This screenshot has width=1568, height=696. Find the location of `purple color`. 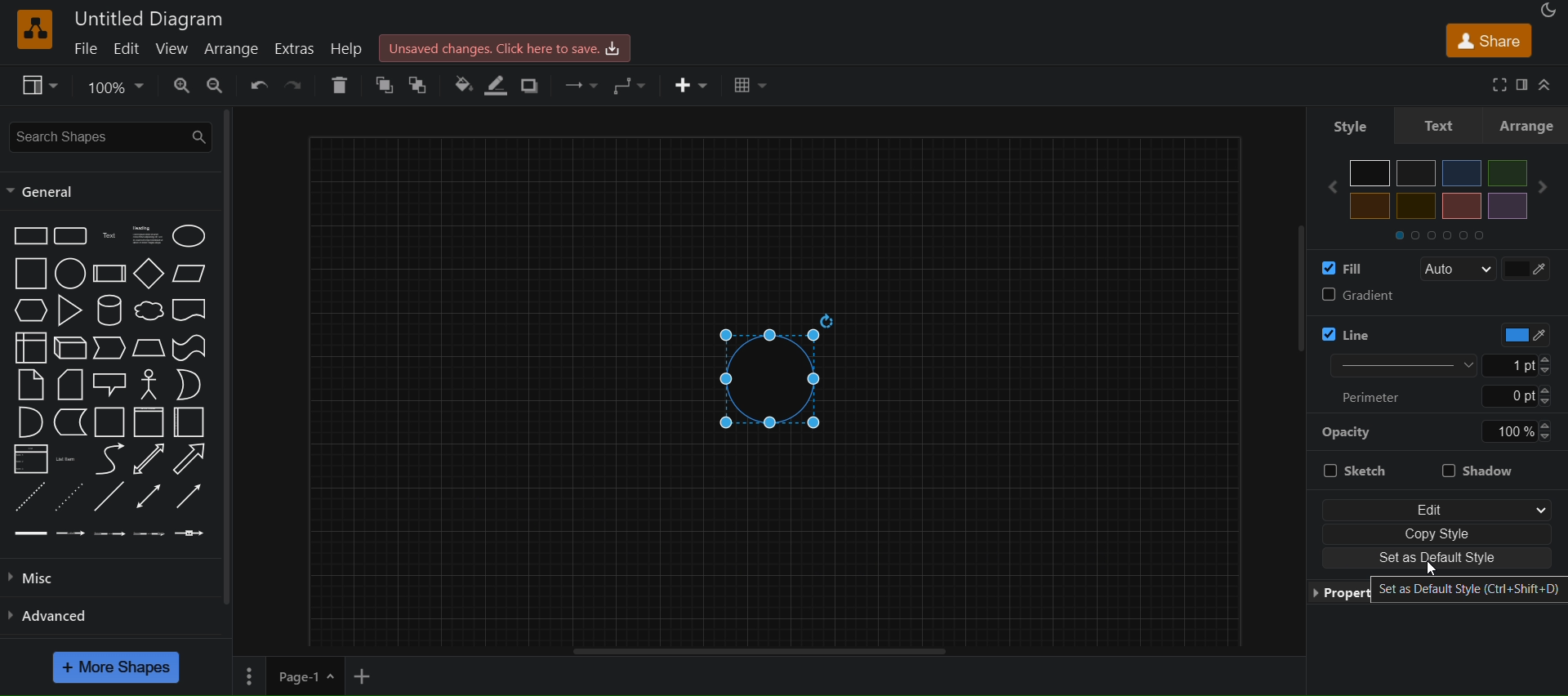

purple color is located at coordinates (1506, 205).